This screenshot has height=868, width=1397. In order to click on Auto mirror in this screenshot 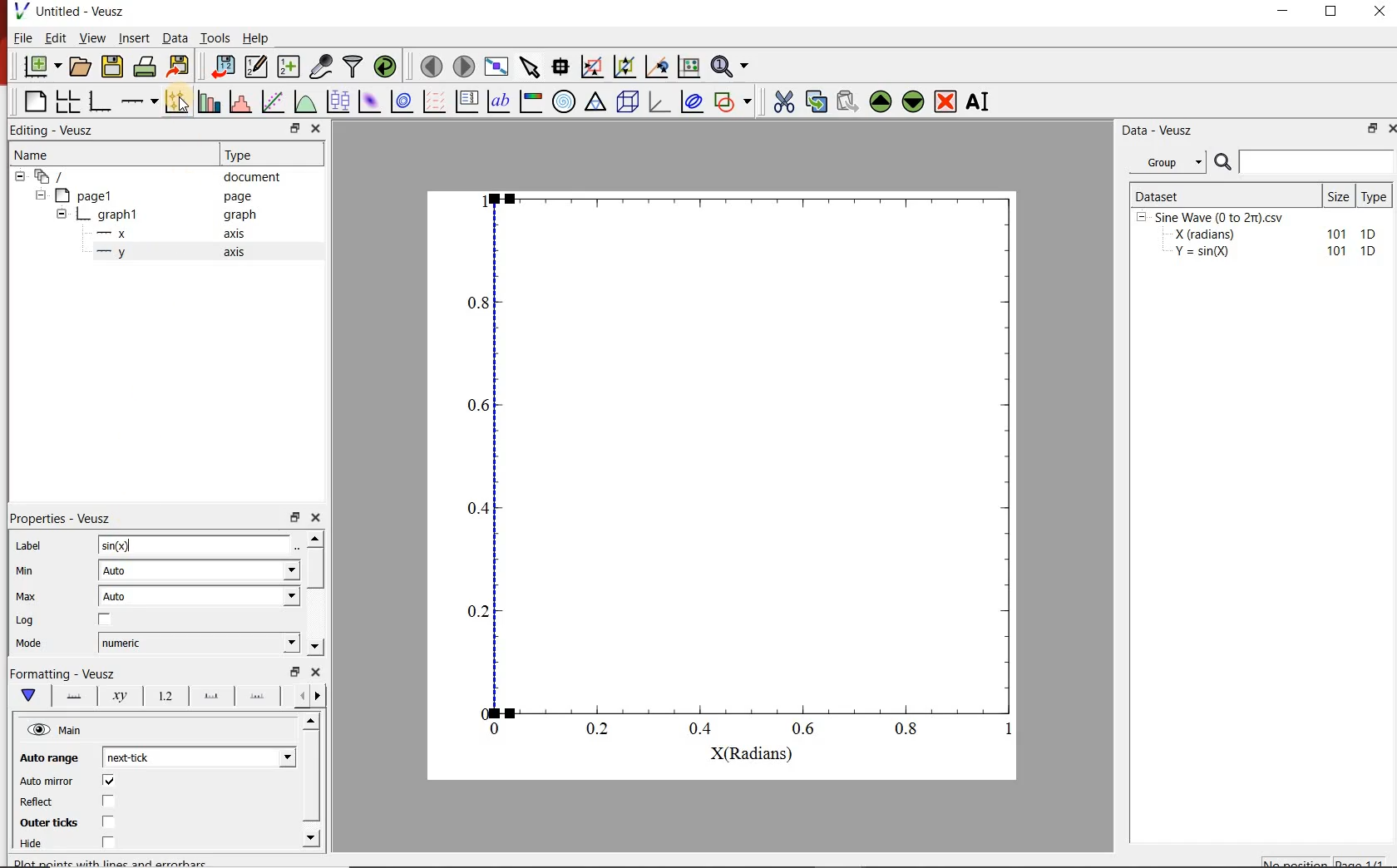, I will do `click(47, 782)`.